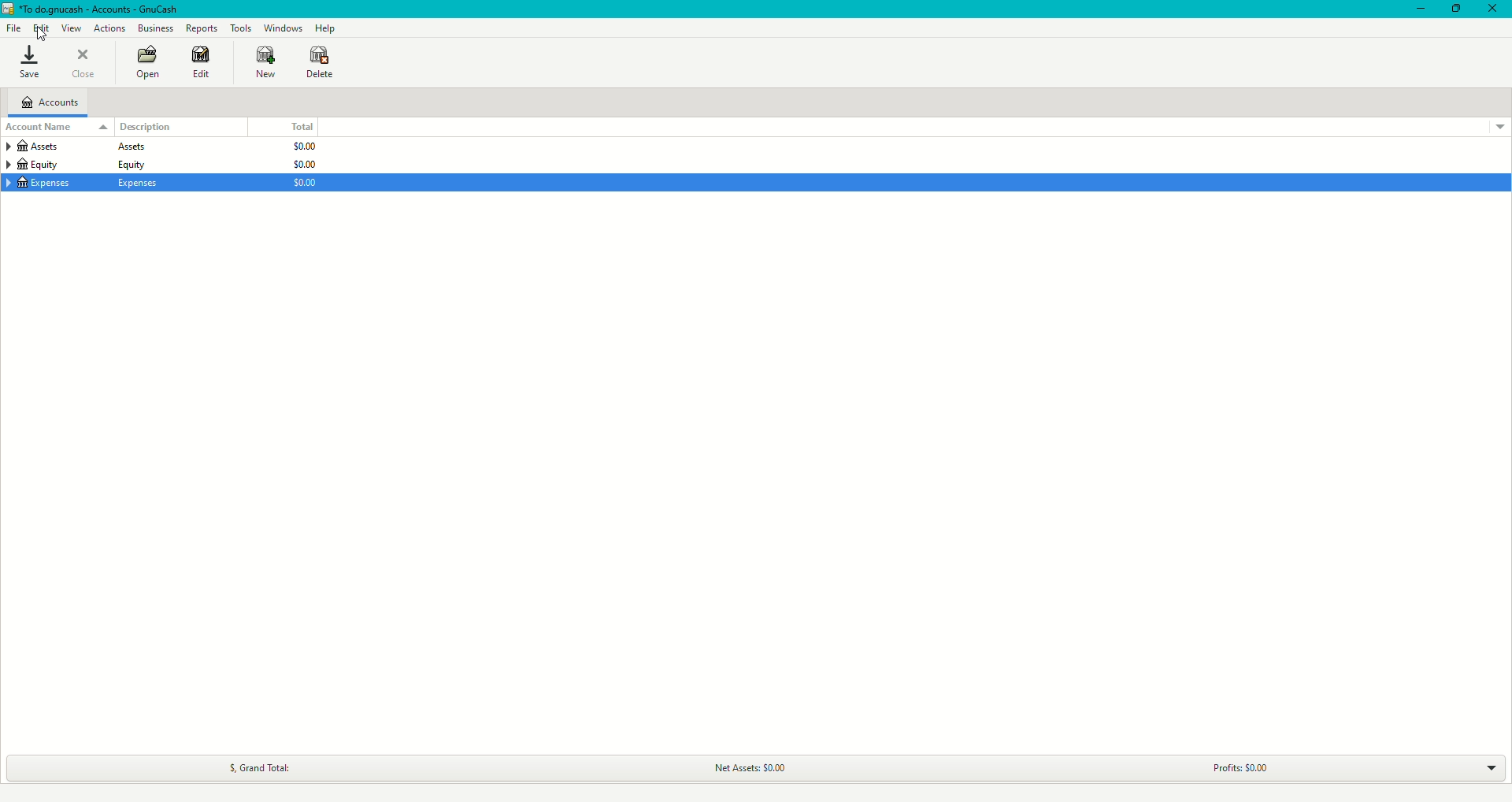  I want to click on Edit, so click(203, 63).